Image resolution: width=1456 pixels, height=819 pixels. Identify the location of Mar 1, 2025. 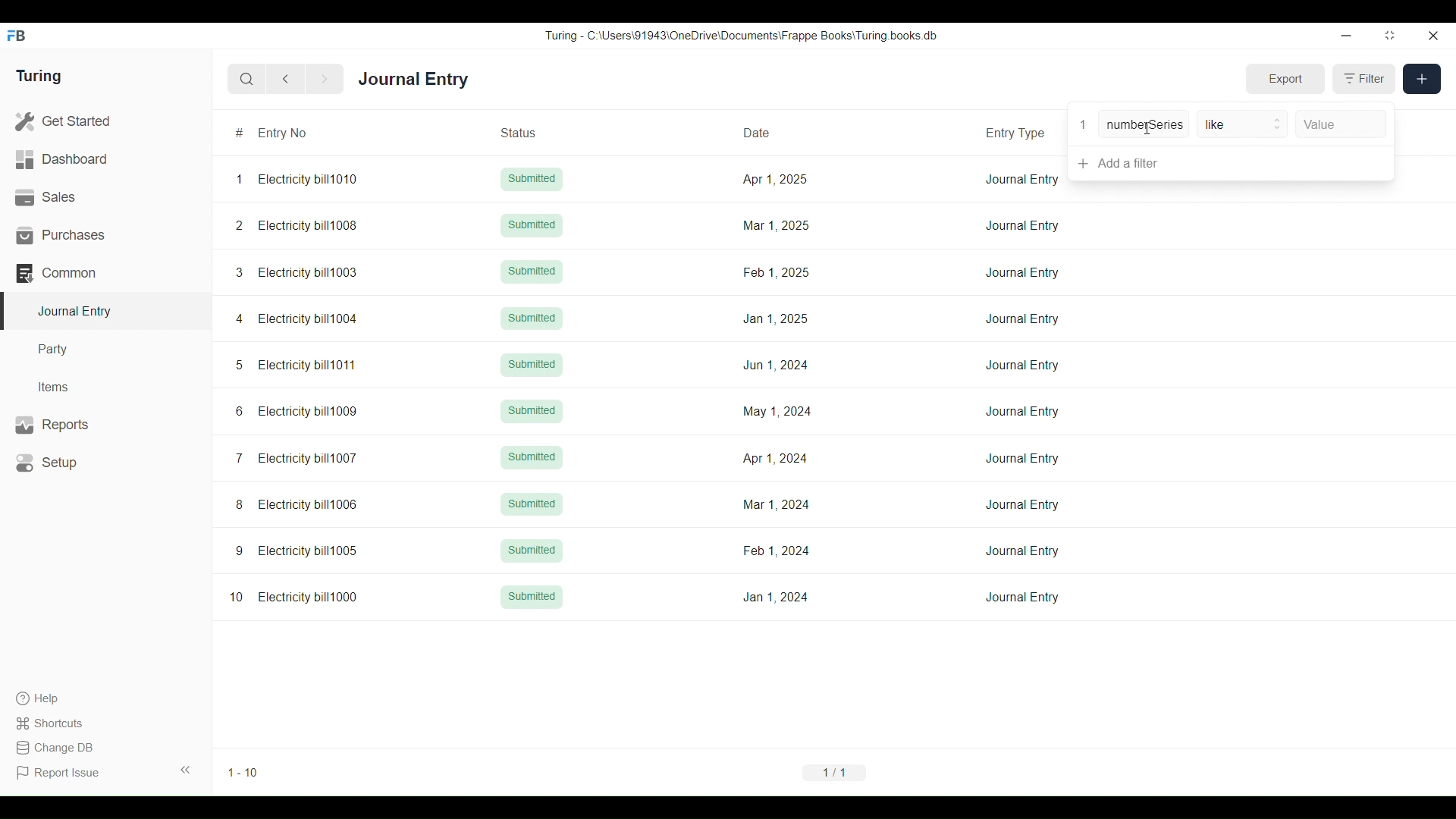
(774, 225).